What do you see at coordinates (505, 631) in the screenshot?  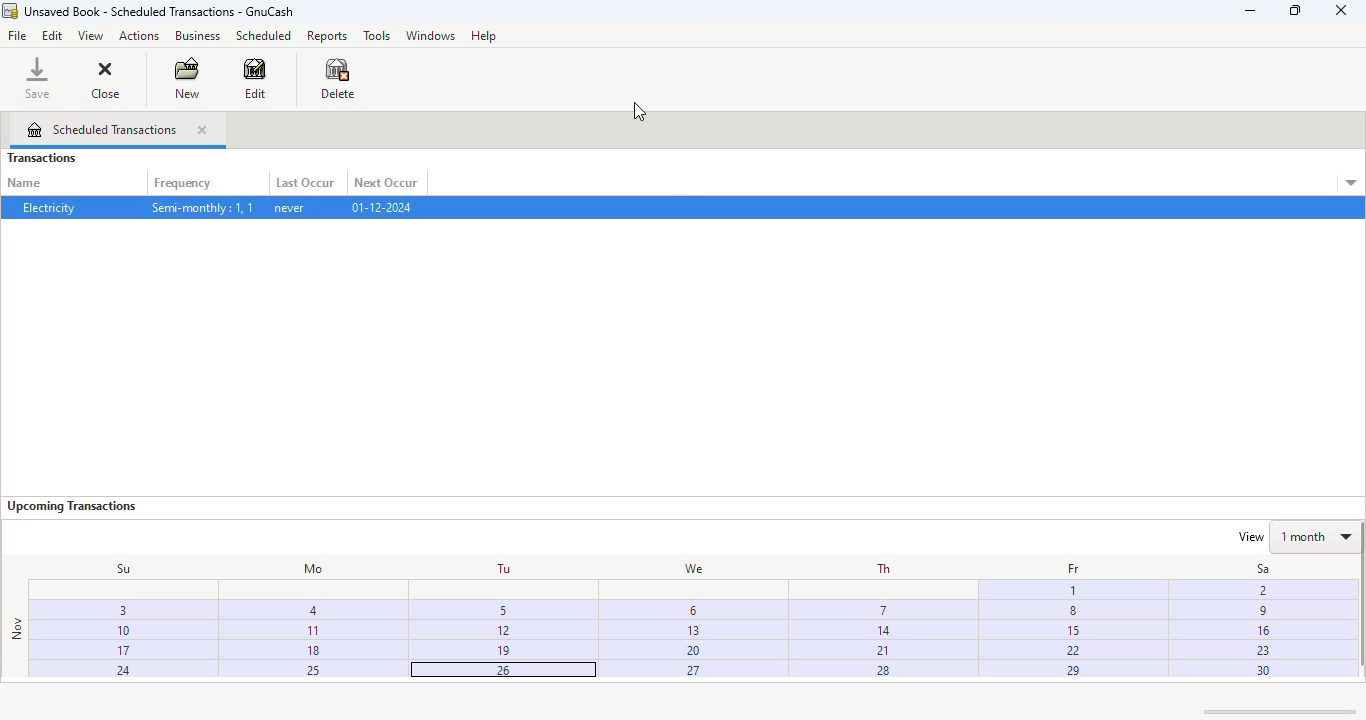 I see `12` at bounding box center [505, 631].